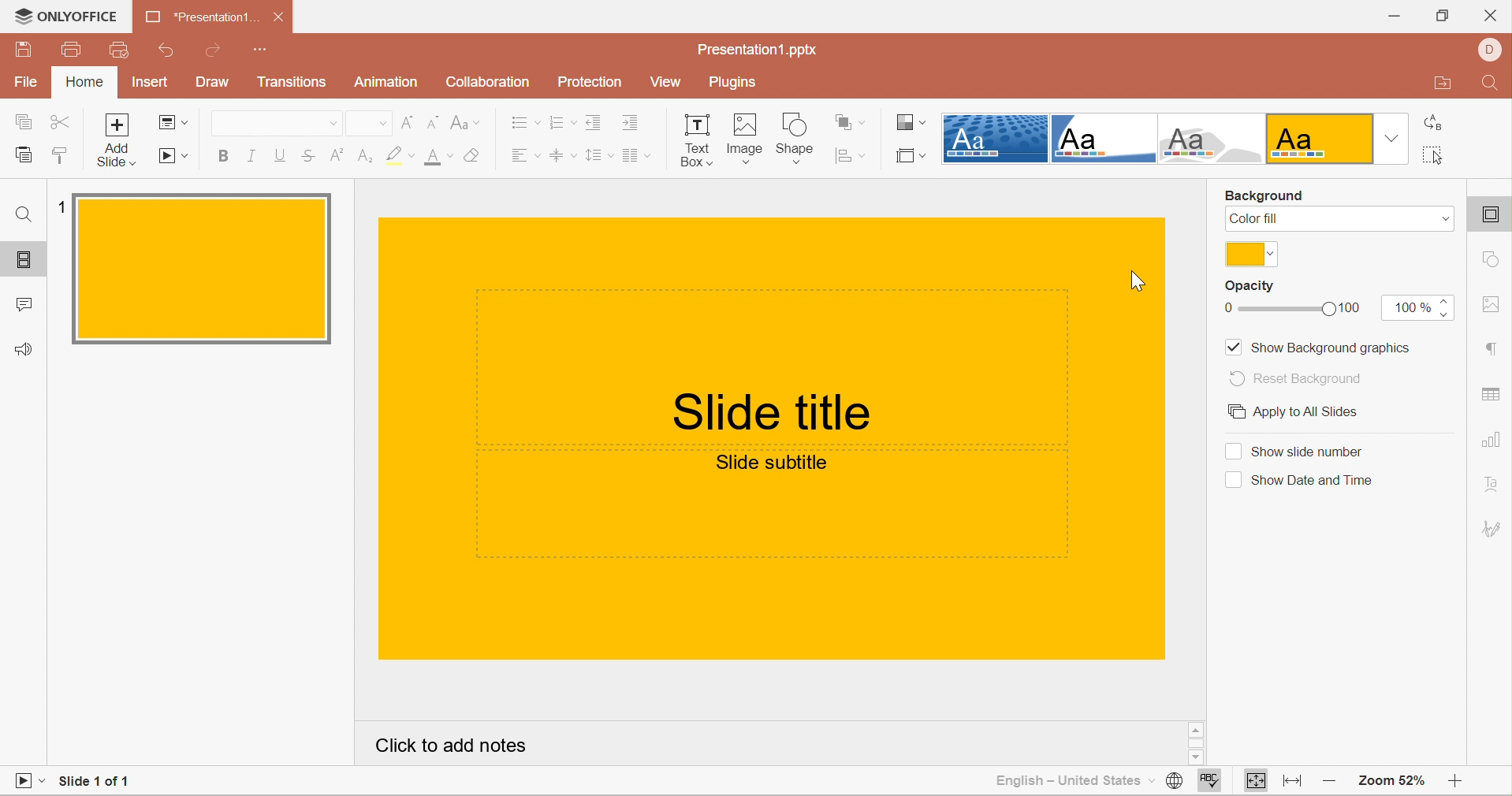 The width and height of the screenshot is (1512, 796). Describe the element at coordinates (1490, 348) in the screenshot. I see `paragraph settings` at that location.